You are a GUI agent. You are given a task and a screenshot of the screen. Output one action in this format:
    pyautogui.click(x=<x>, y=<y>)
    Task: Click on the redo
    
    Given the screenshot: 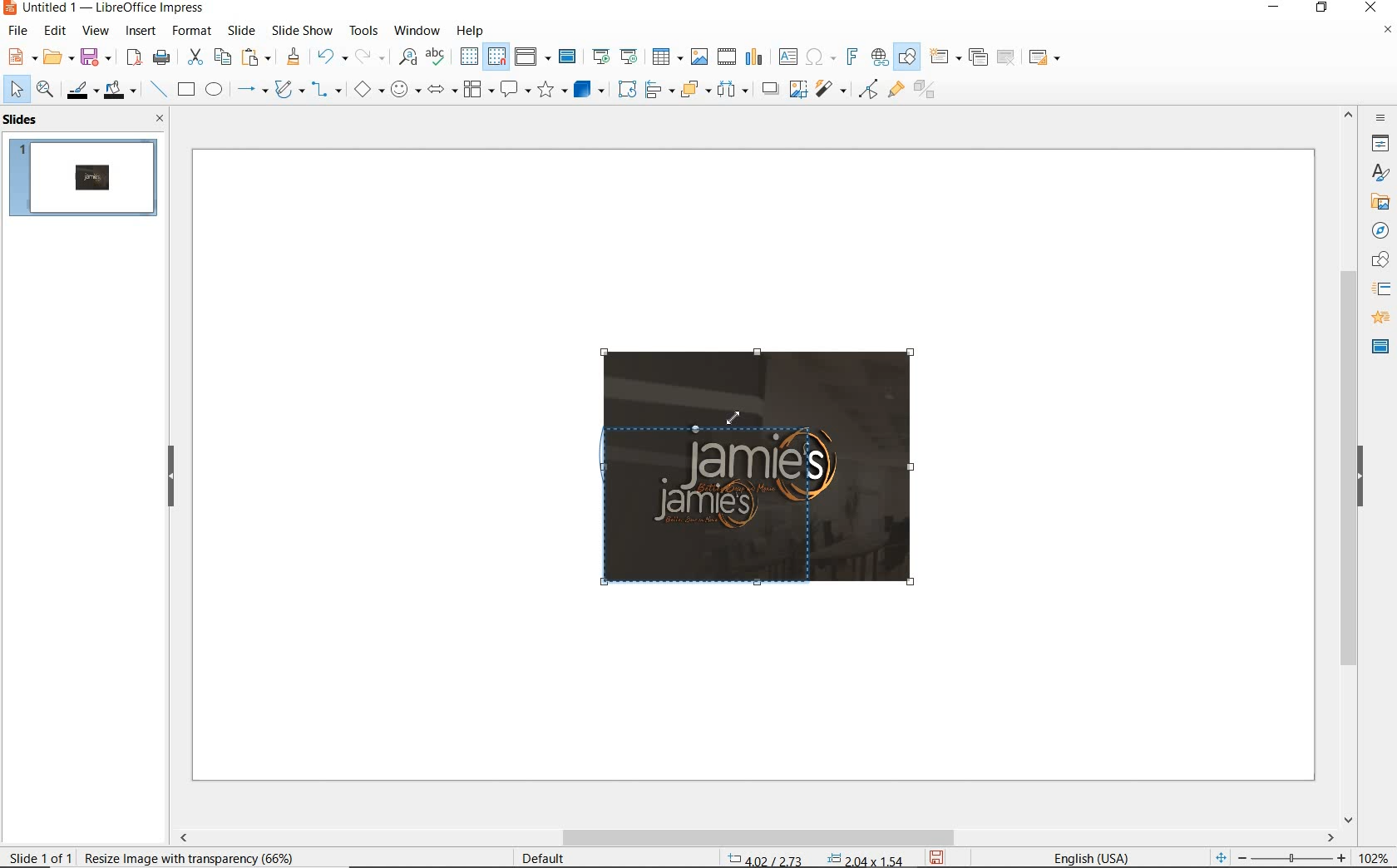 What is the action you would take?
    pyautogui.click(x=369, y=57)
    